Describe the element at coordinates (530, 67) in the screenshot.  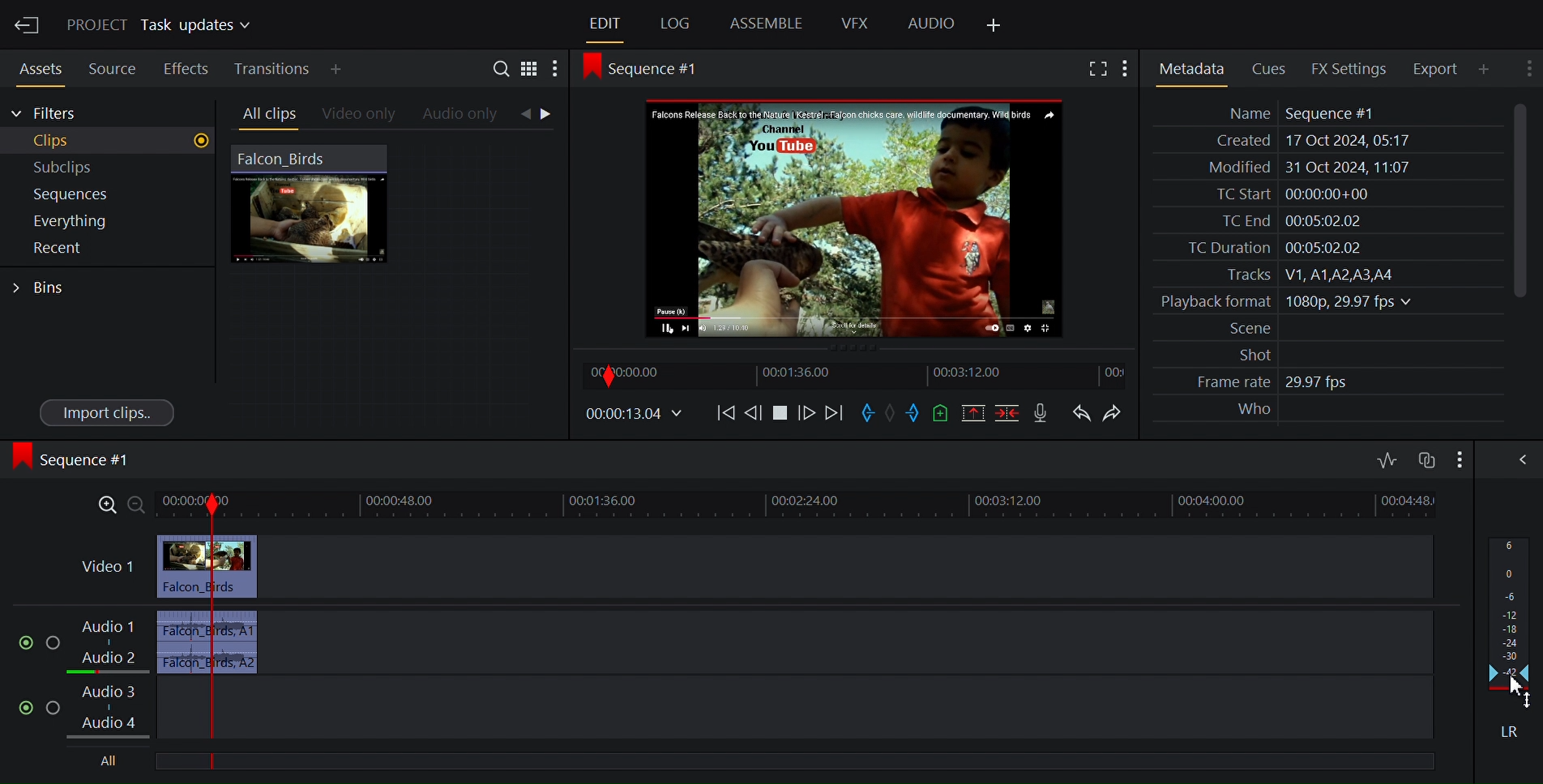
I see `Toggle between list and tile view` at that location.